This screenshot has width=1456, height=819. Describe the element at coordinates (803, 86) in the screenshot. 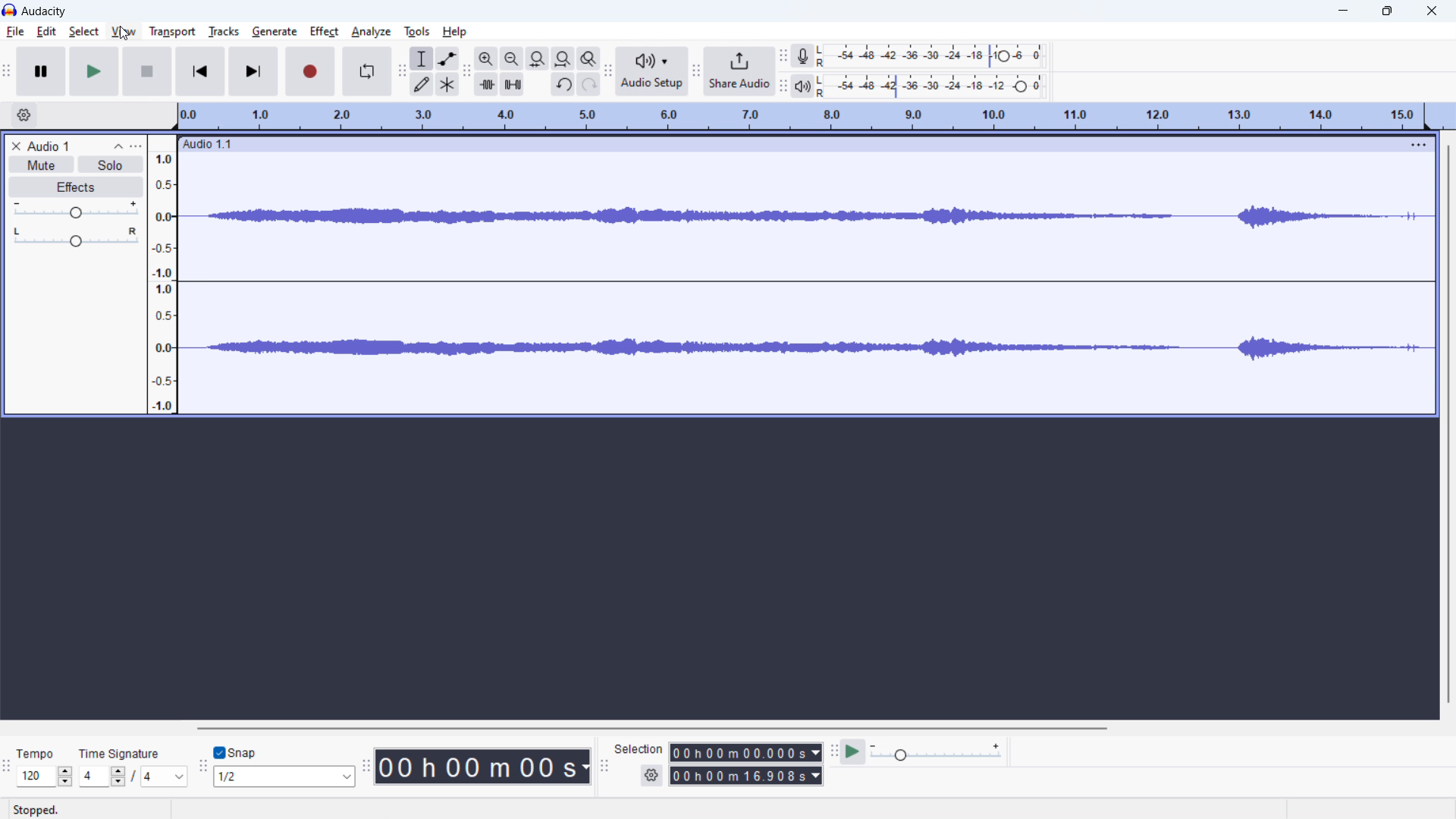

I see `playback meter` at that location.